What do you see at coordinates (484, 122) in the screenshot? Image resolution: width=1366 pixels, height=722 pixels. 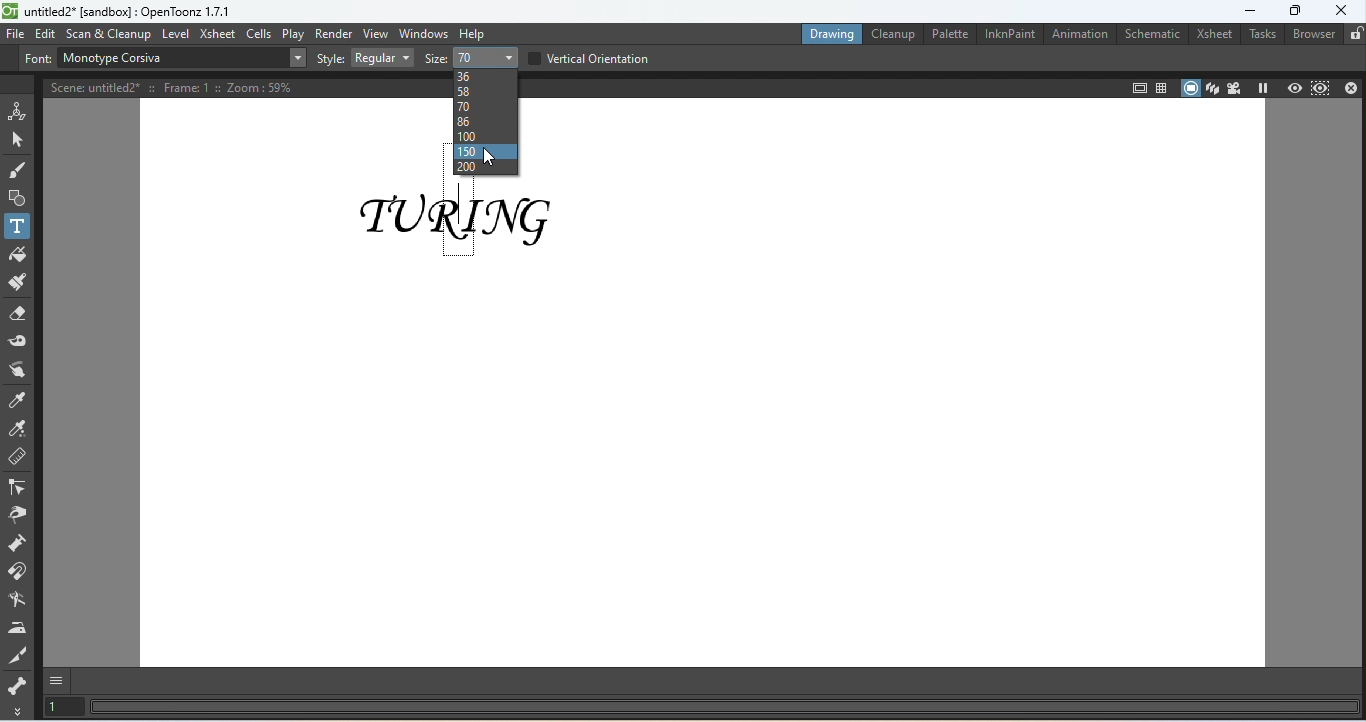 I see `86` at bounding box center [484, 122].